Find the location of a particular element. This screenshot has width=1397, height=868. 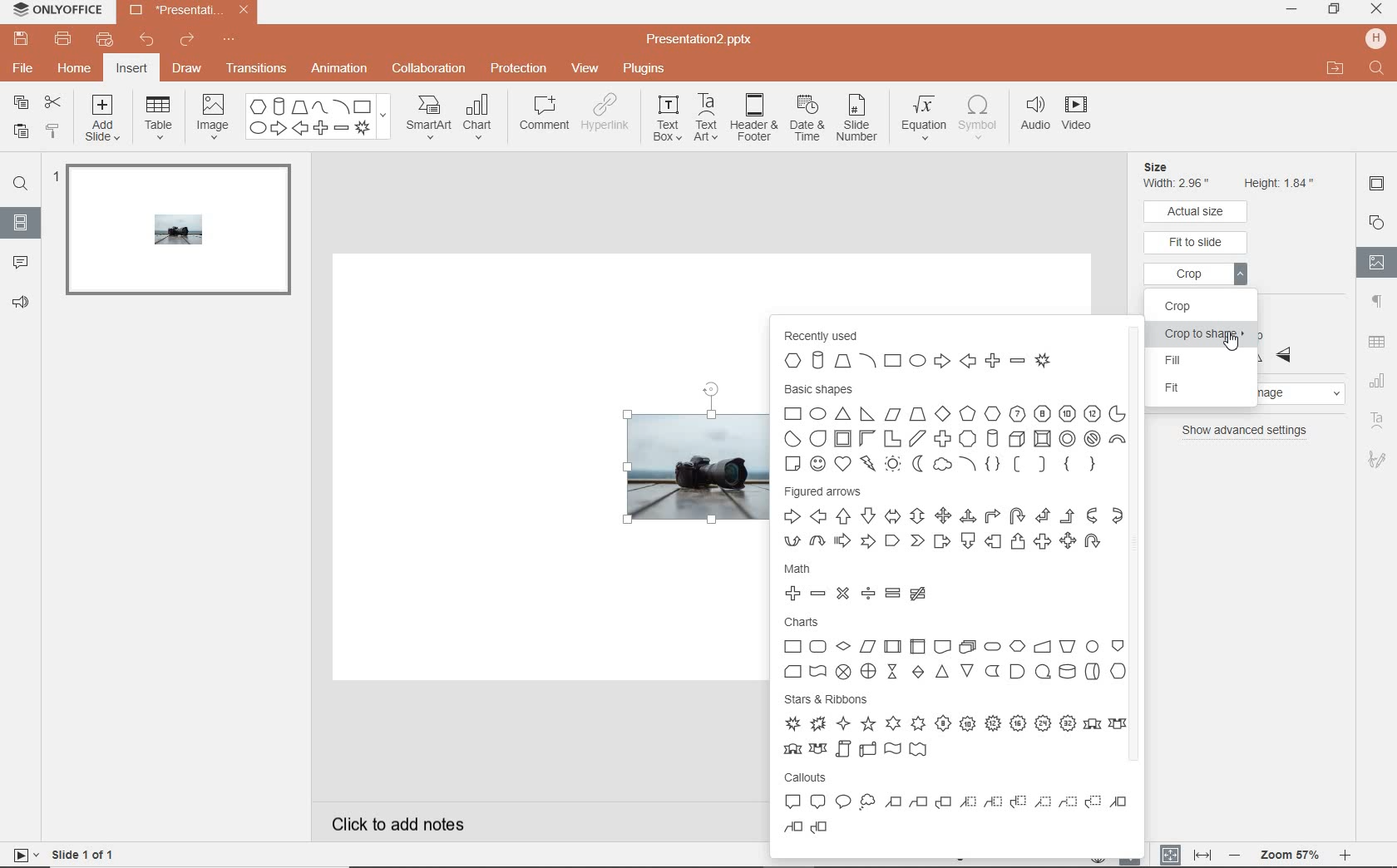

fill is located at coordinates (1205, 362).